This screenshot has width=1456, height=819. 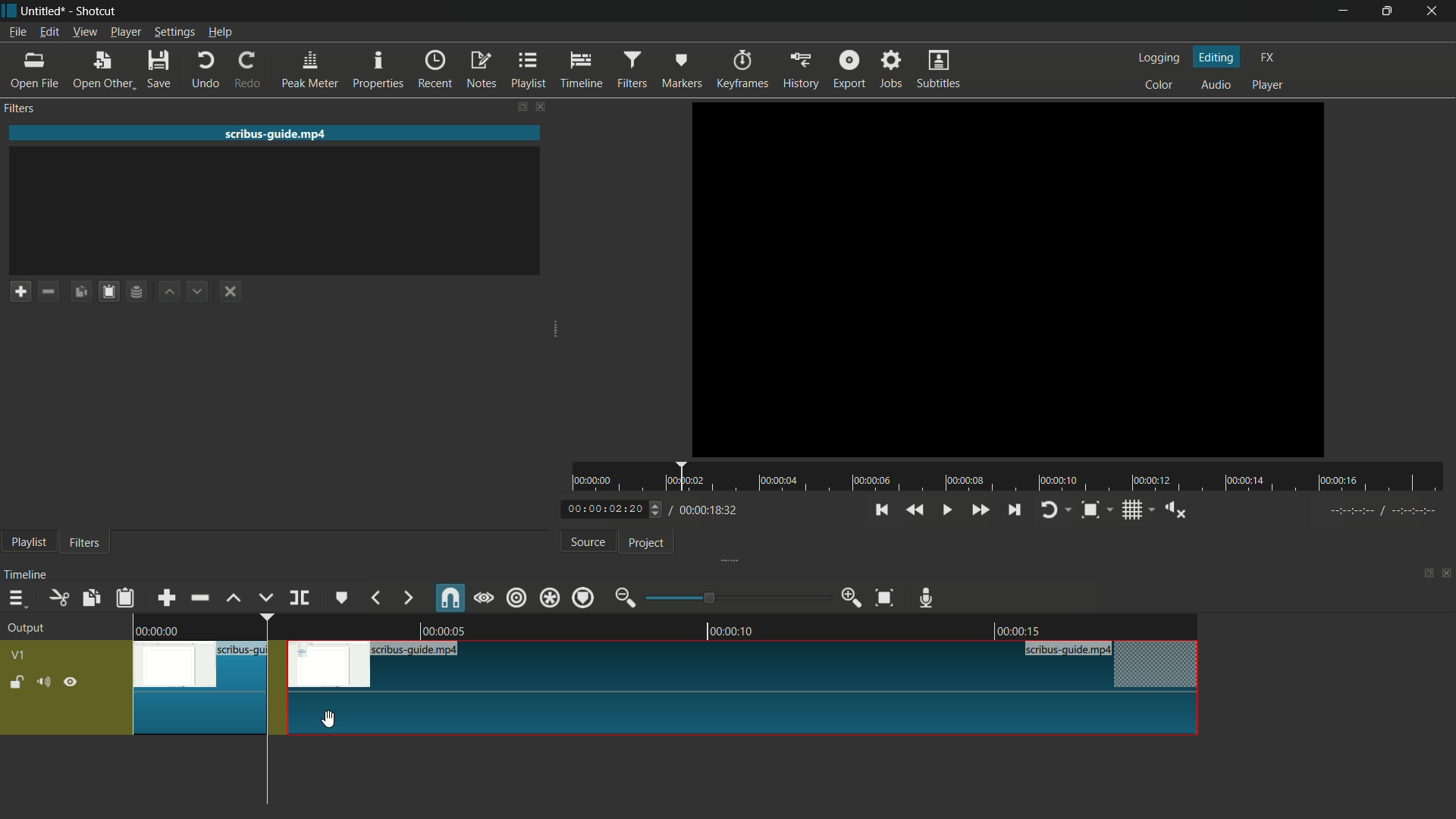 What do you see at coordinates (83, 541) in the screenshot?
I see `filters` at bounding box center [83, 541].